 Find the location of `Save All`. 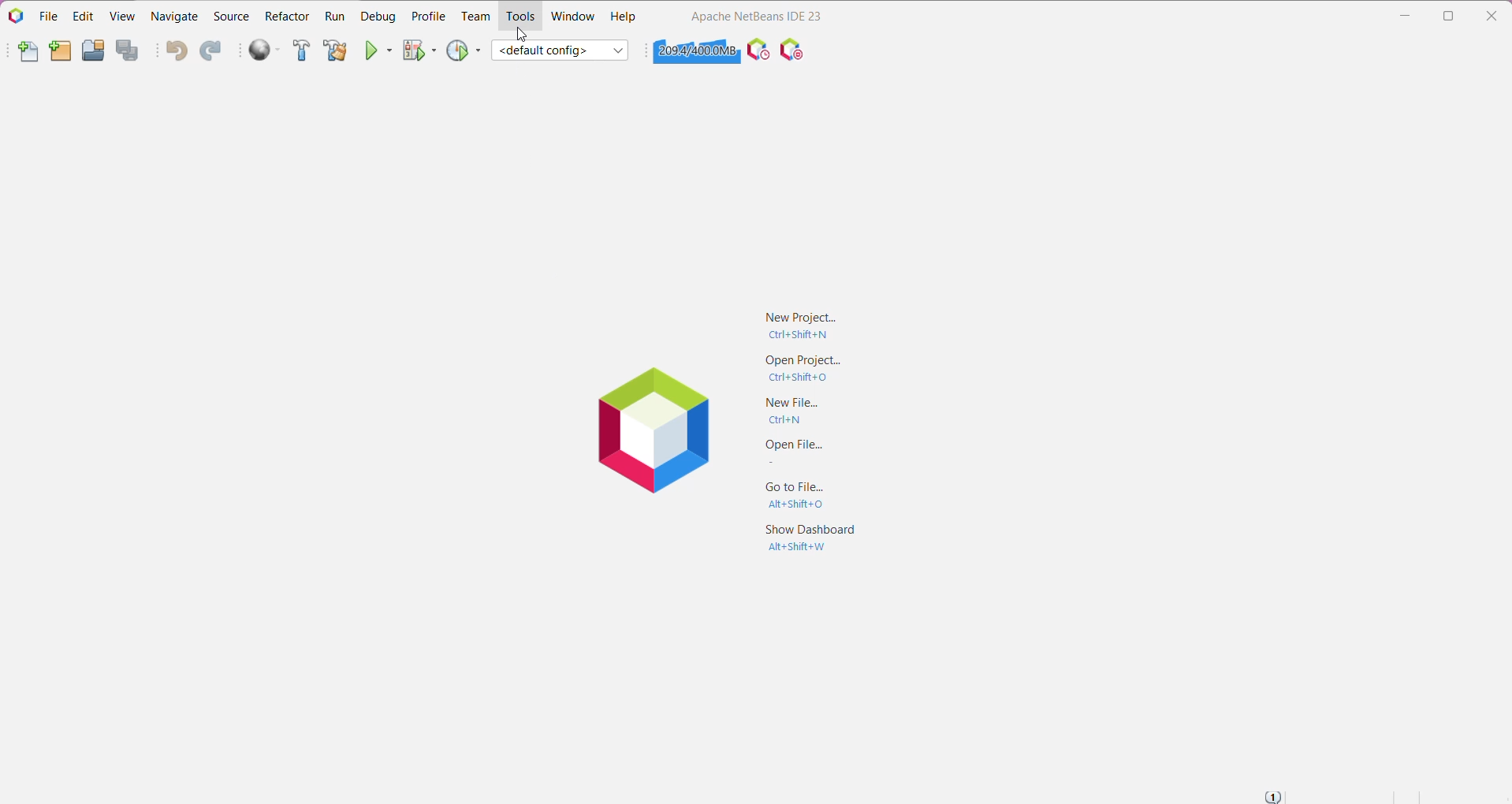

Save All is located at coordinates (130, 51).